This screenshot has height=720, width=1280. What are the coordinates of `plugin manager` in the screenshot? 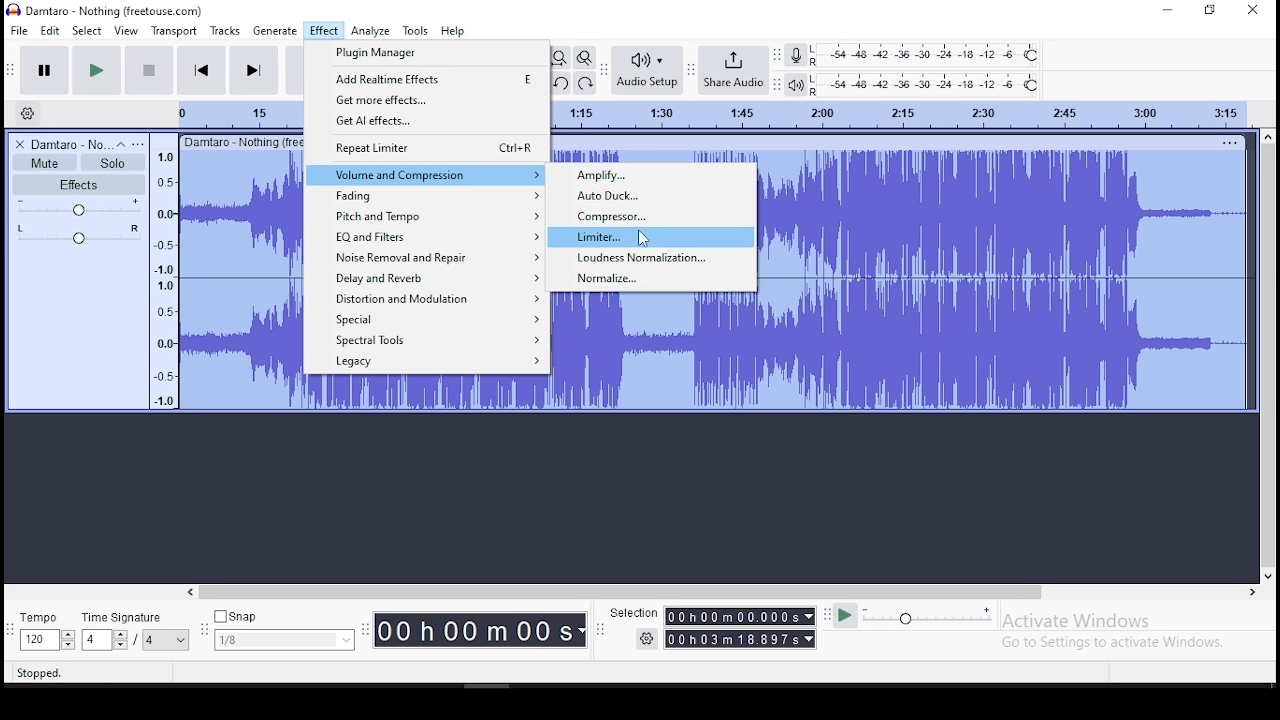 It's located at (431, 53).